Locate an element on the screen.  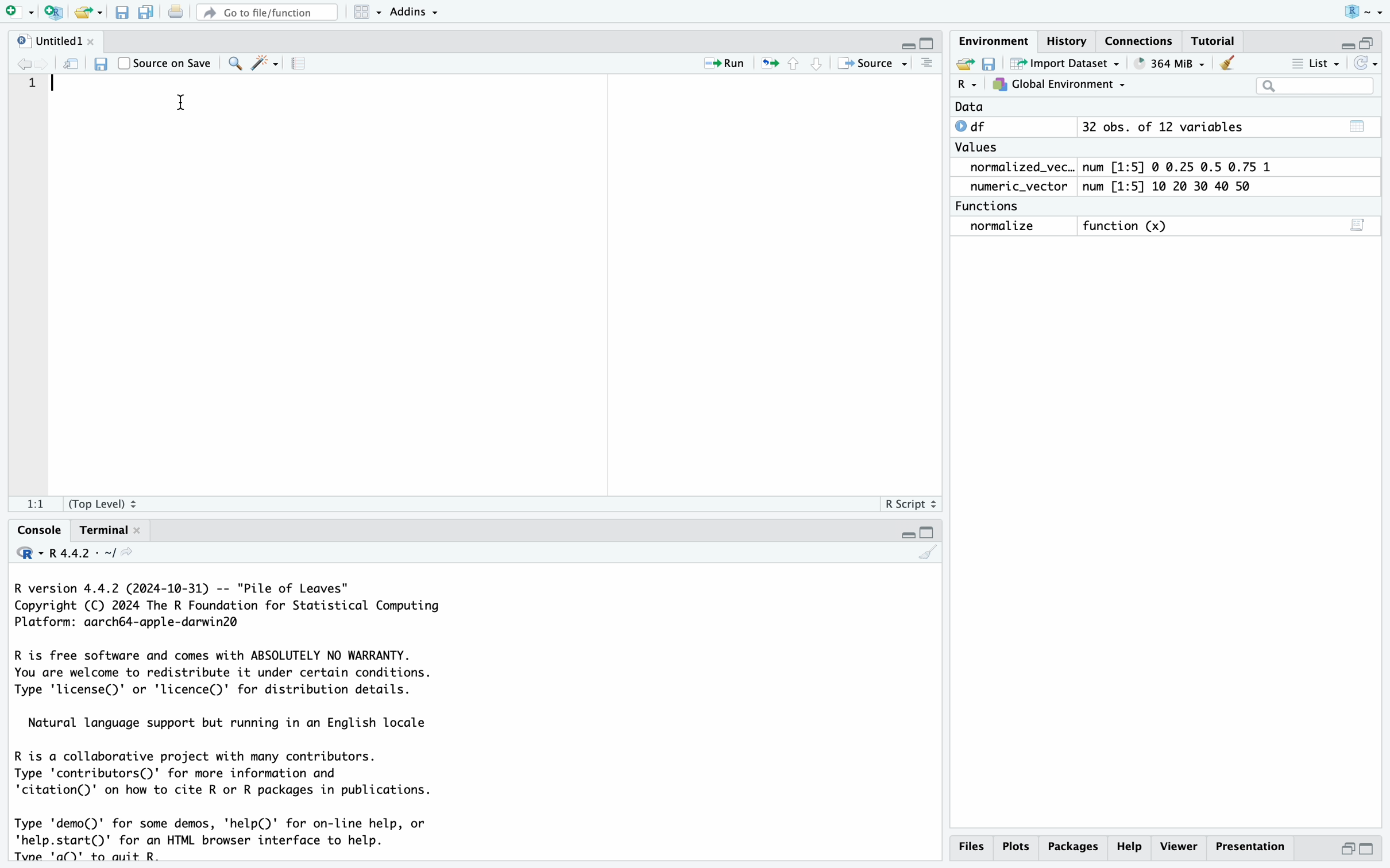
normalized_vec is located at coordinates (1013, 168).